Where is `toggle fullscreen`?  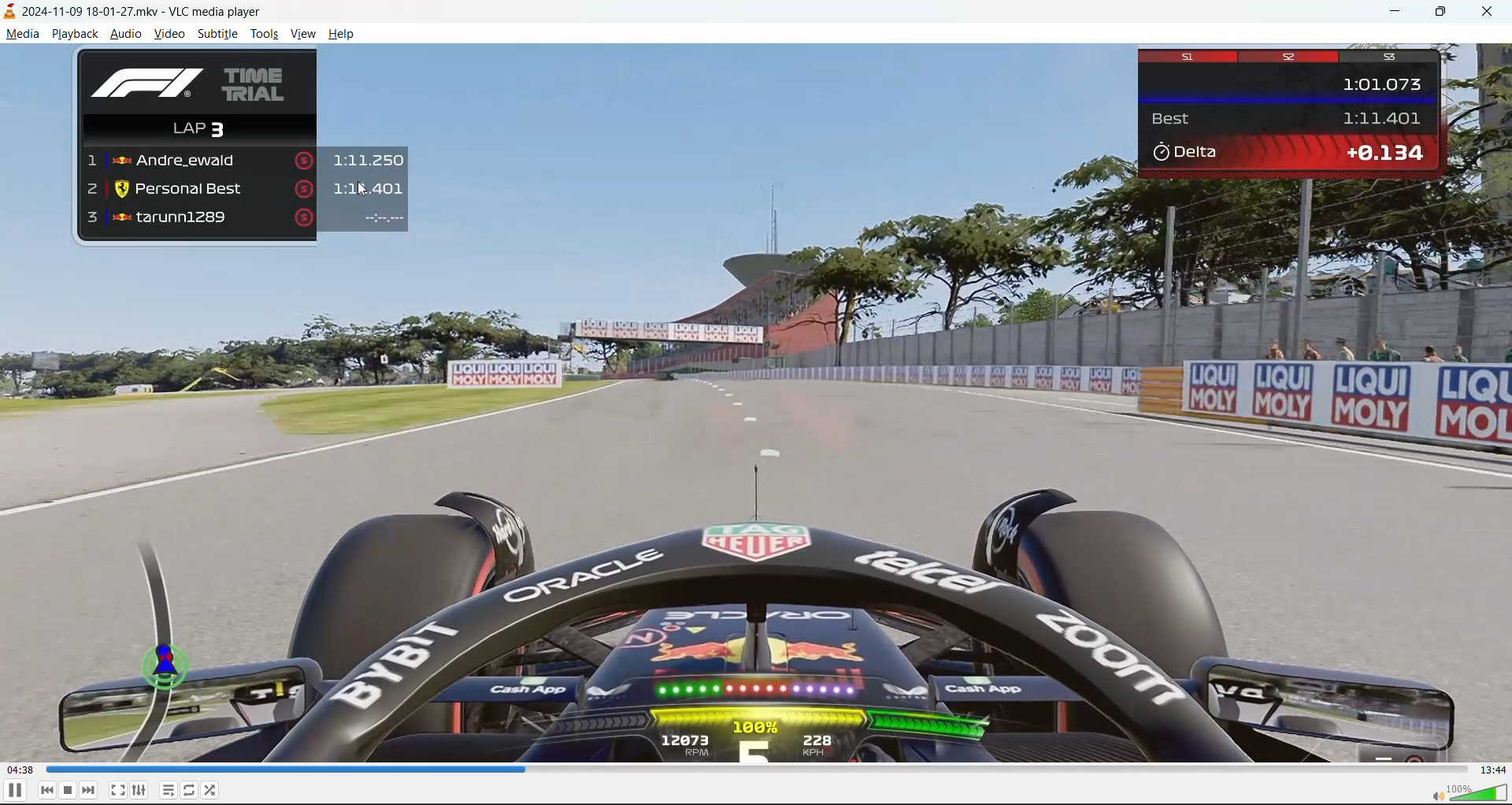
toggle fullscreen is located at coordinates (117, 790).